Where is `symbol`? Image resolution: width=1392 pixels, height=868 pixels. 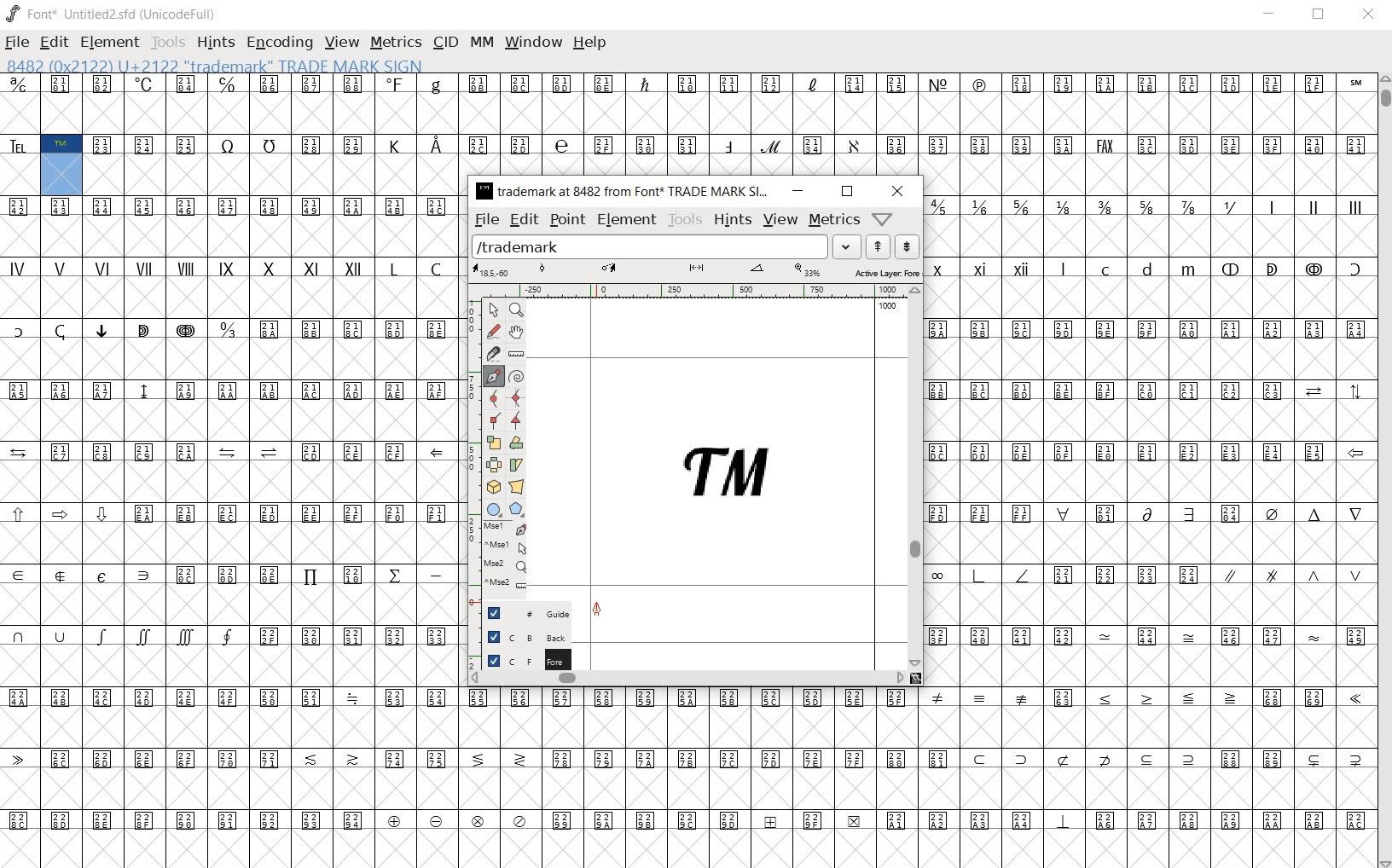 symbol is located at coordinates (234, 225).